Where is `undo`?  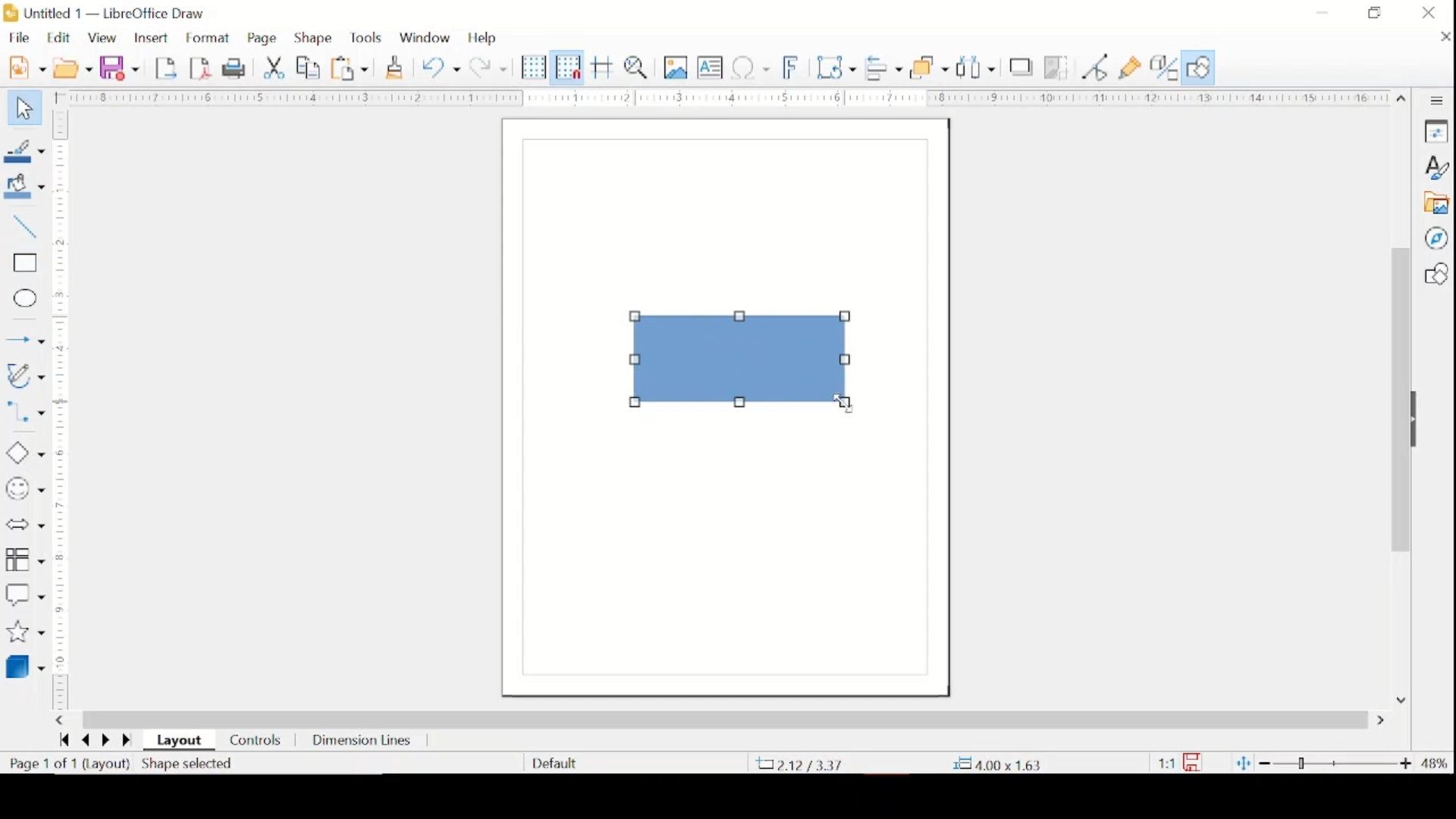 undo is located at coordinates (441, 68).